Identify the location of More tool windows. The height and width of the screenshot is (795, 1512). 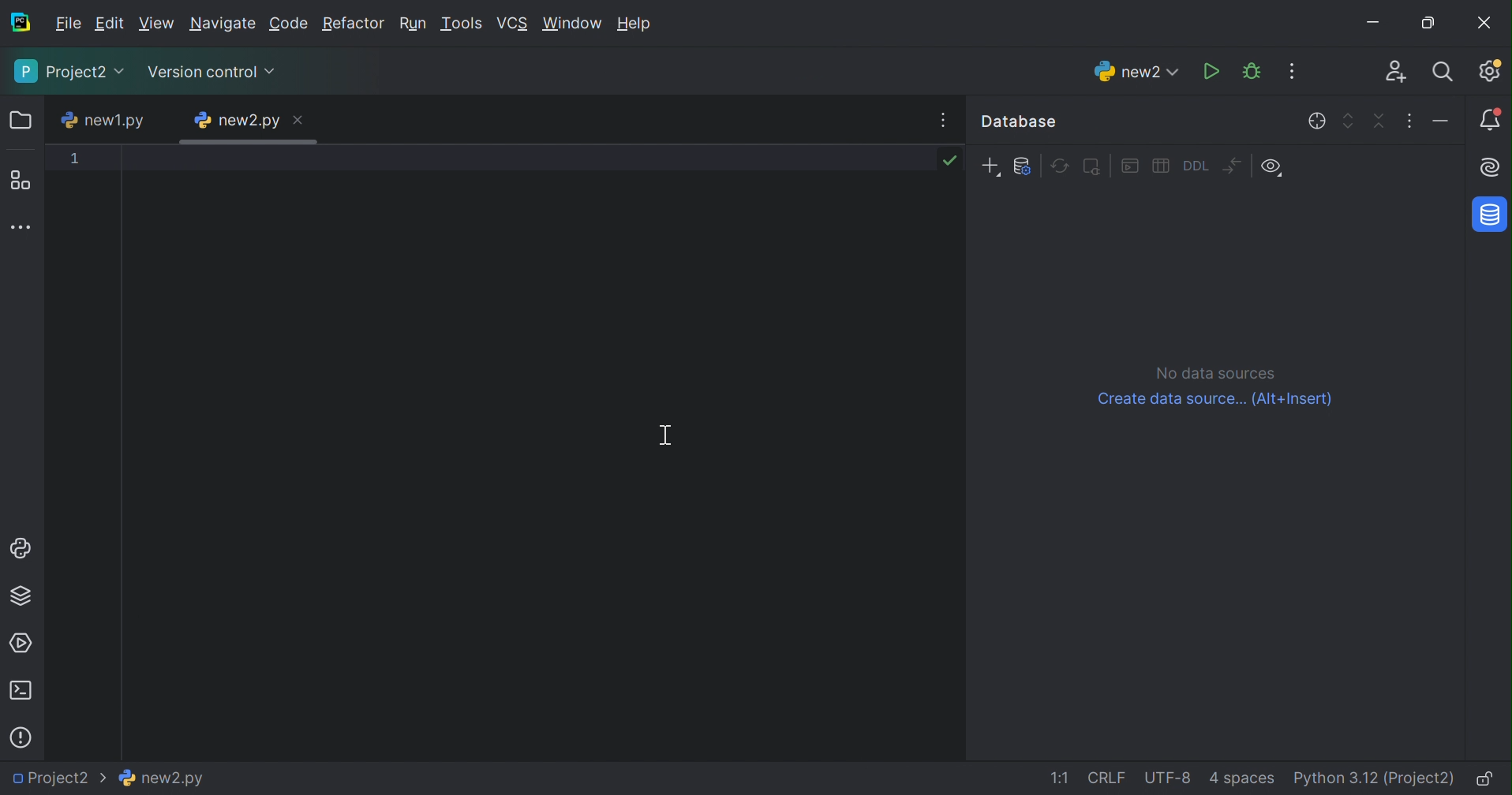
(22, 228).